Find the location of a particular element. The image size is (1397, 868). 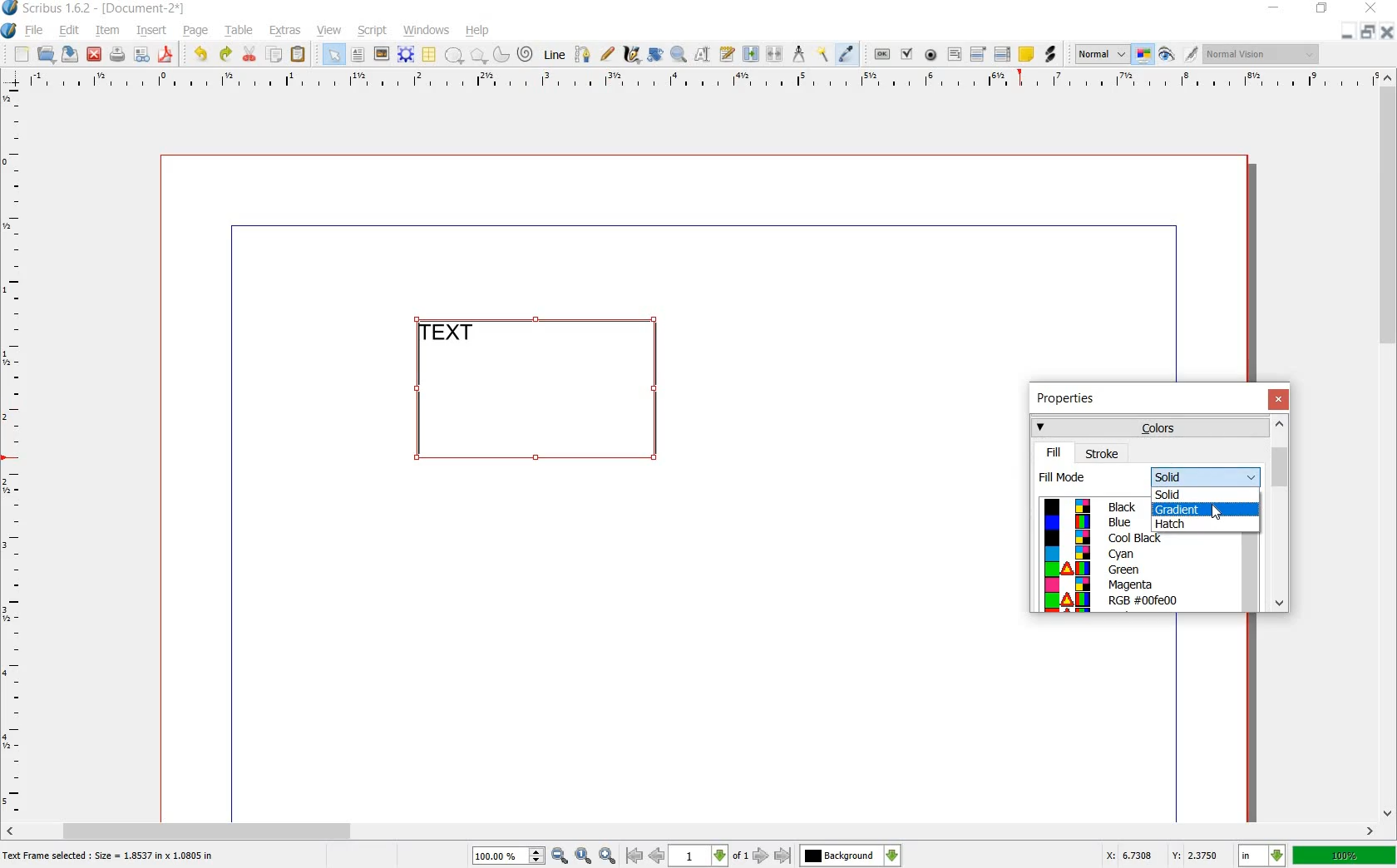

file is located at coordinates (37, 31).